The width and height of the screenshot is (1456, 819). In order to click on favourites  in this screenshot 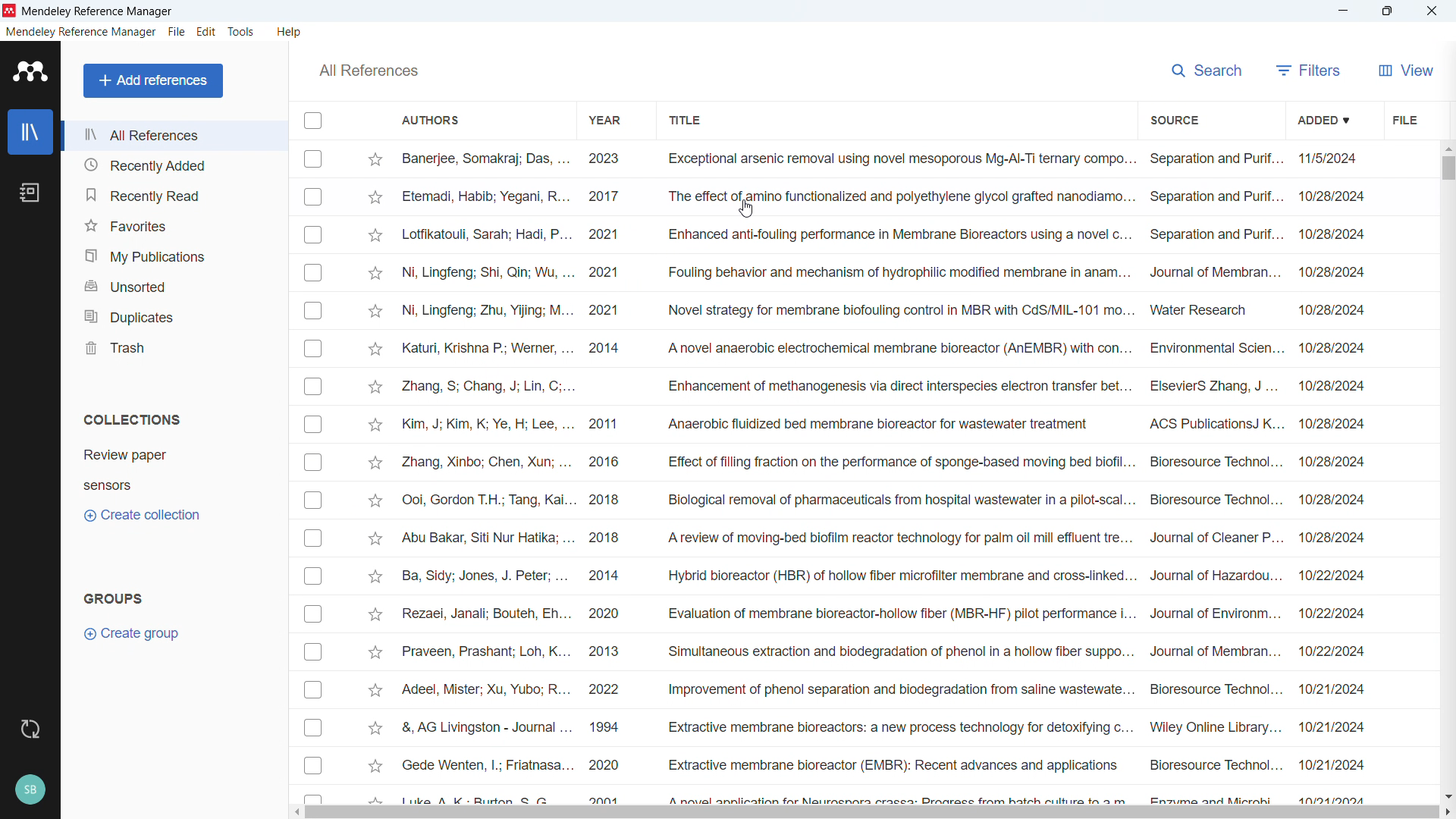, I will do `click(173, 224)`.